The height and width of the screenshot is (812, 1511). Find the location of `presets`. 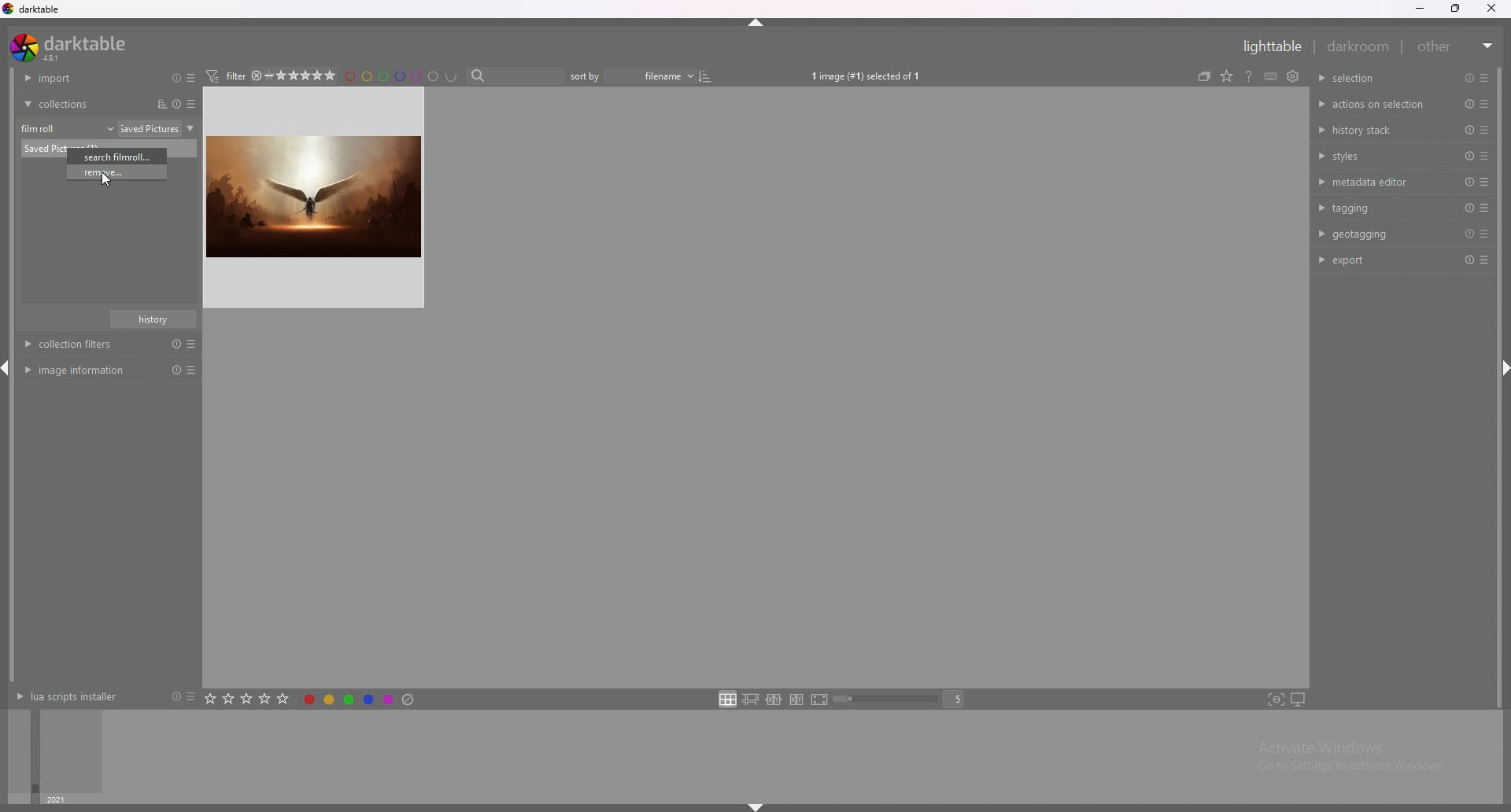

presets is located at coordinates (1484, 155).